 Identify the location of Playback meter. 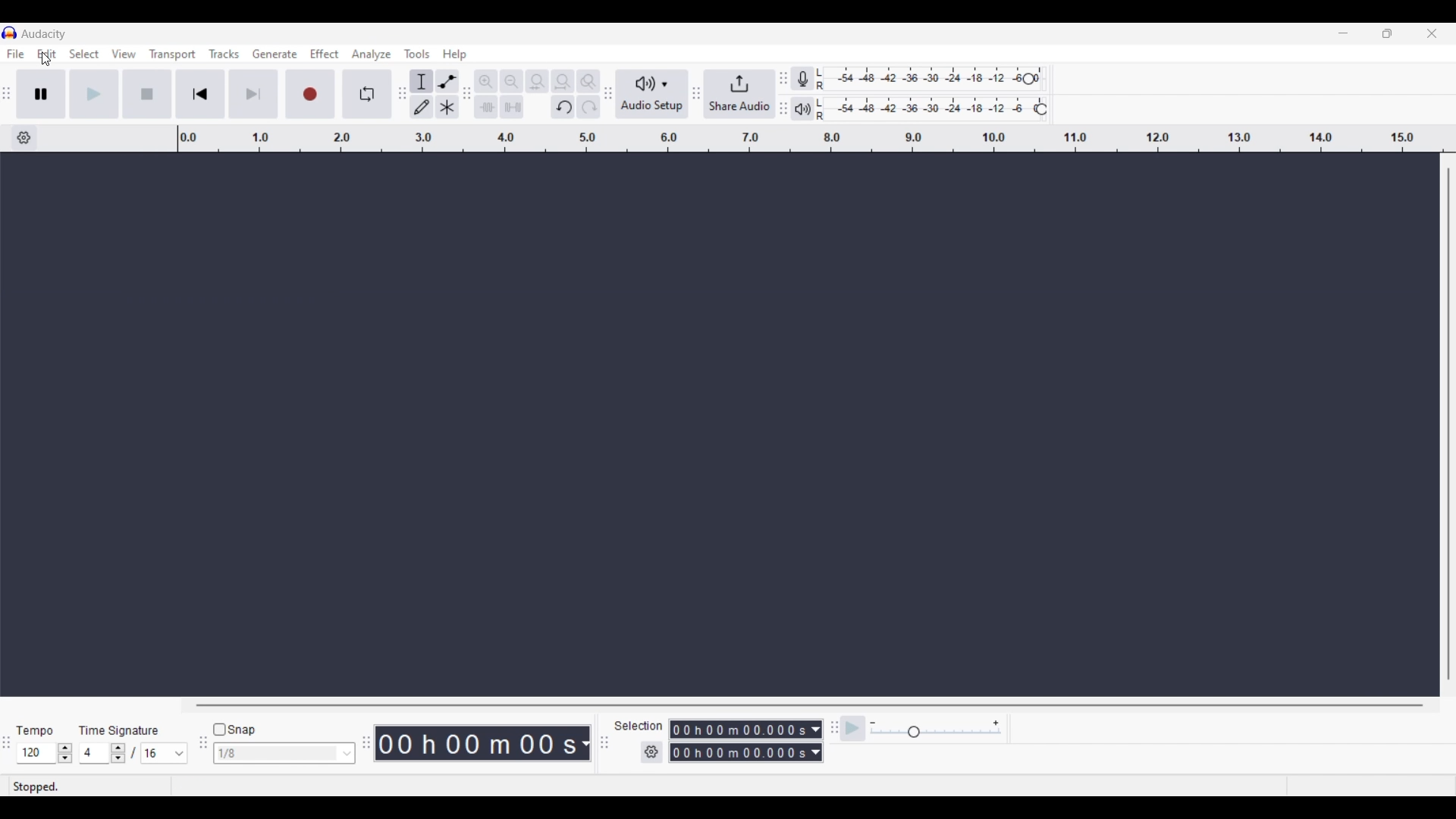
(810, 108).